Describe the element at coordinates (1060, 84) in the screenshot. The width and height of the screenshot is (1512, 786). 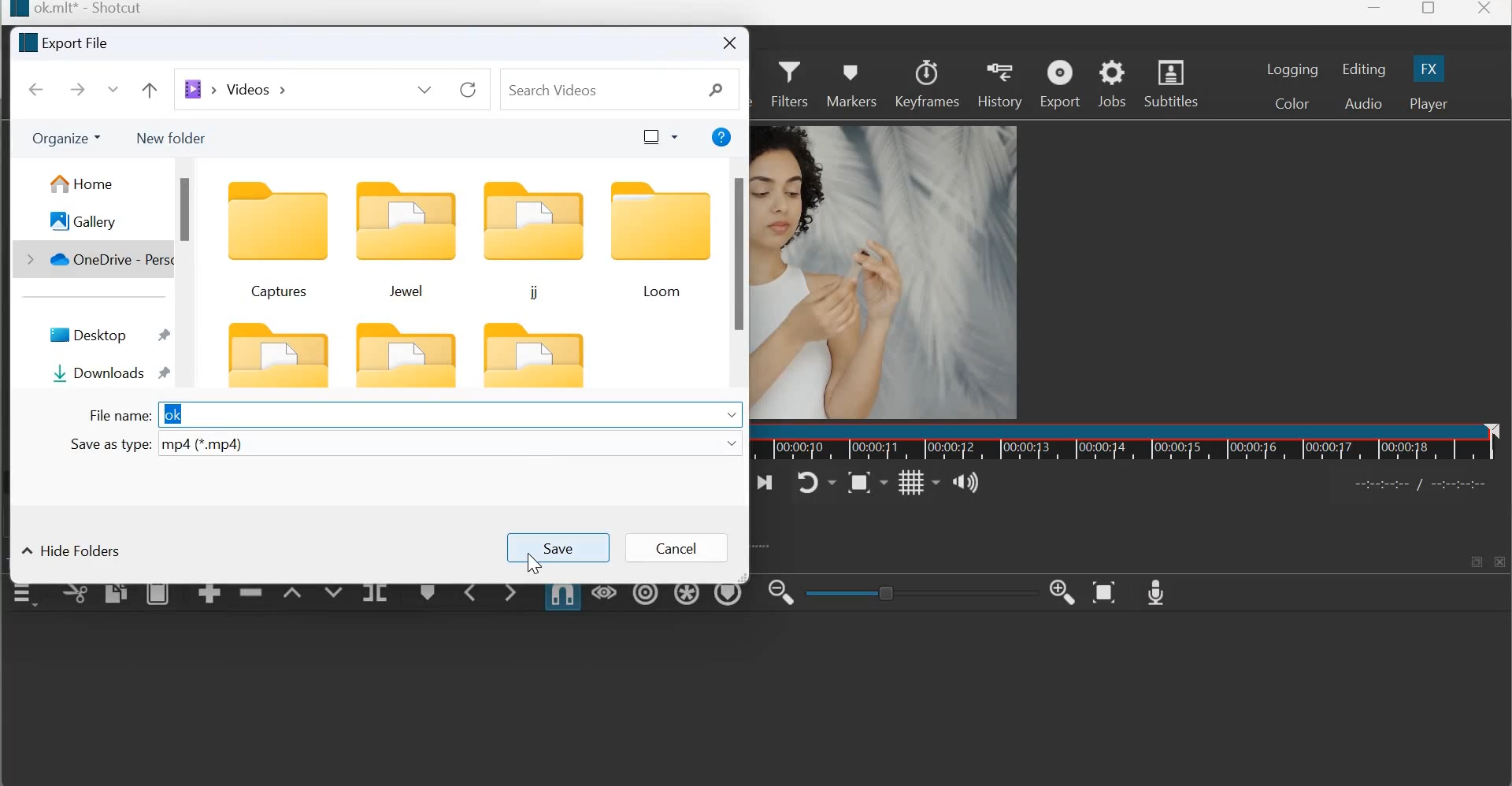
I see `Export` at that location.